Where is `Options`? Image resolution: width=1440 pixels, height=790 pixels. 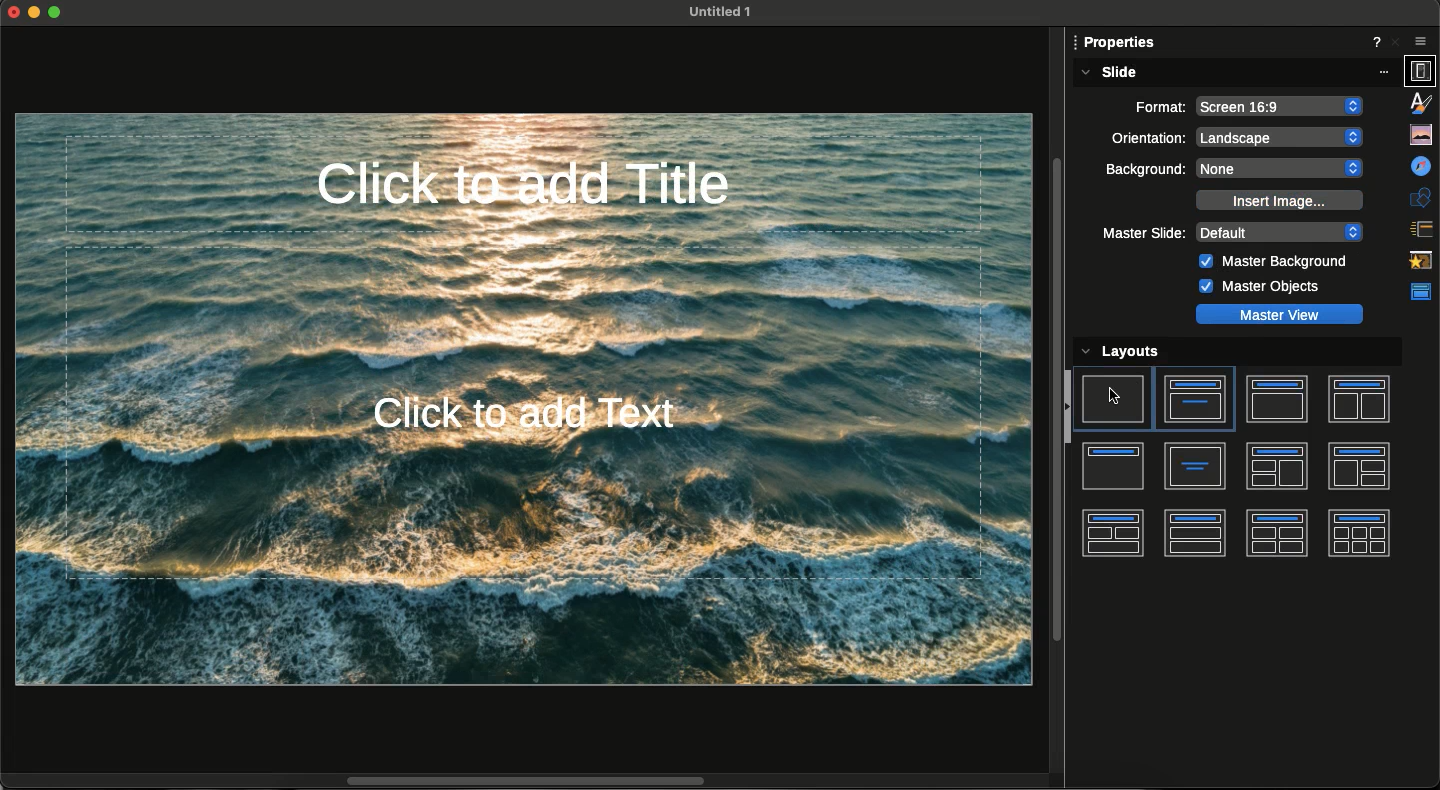
Options is located at coordinates (1421, 40).